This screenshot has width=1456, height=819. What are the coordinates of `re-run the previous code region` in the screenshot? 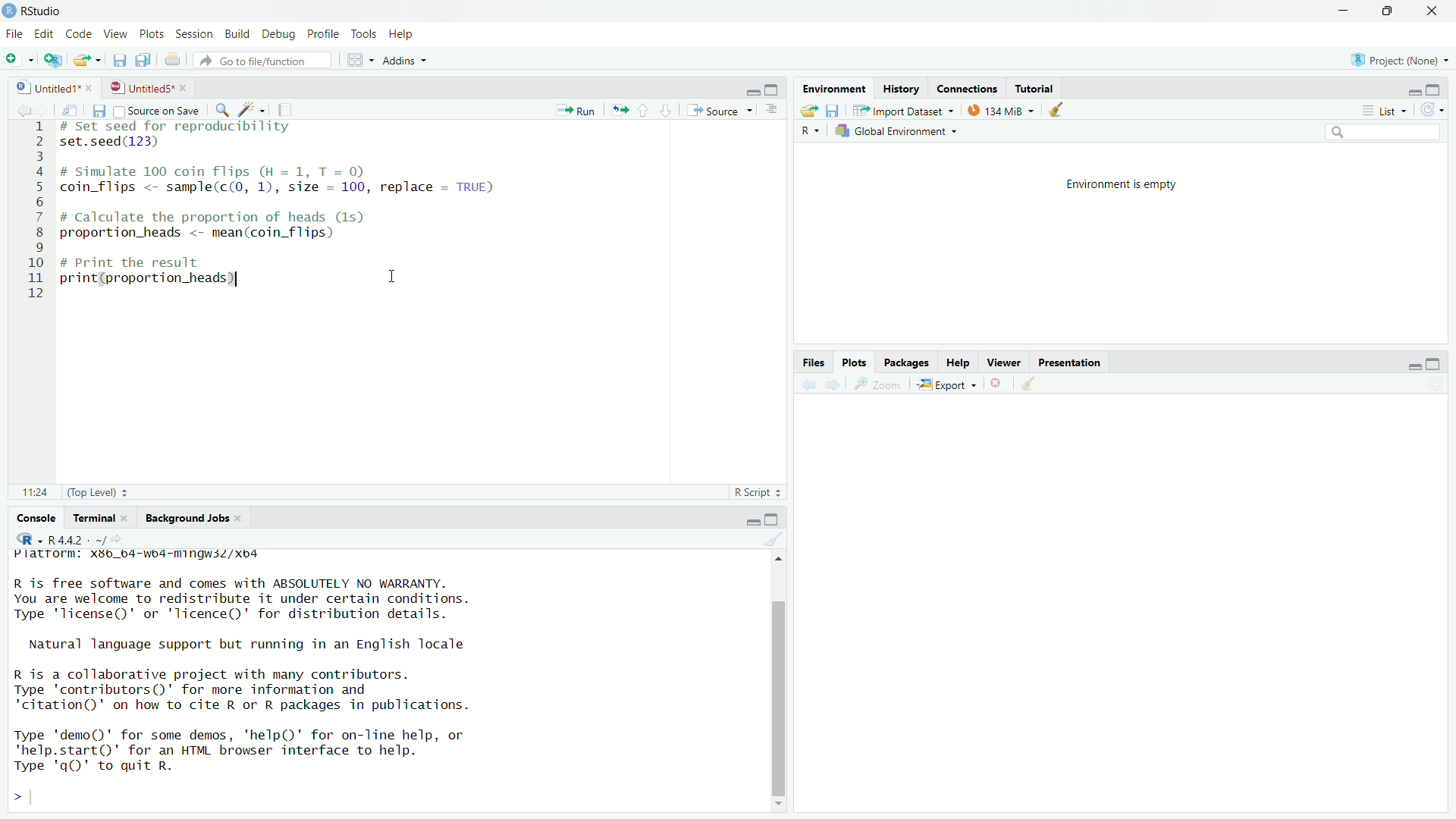 It's located at (619, 110).